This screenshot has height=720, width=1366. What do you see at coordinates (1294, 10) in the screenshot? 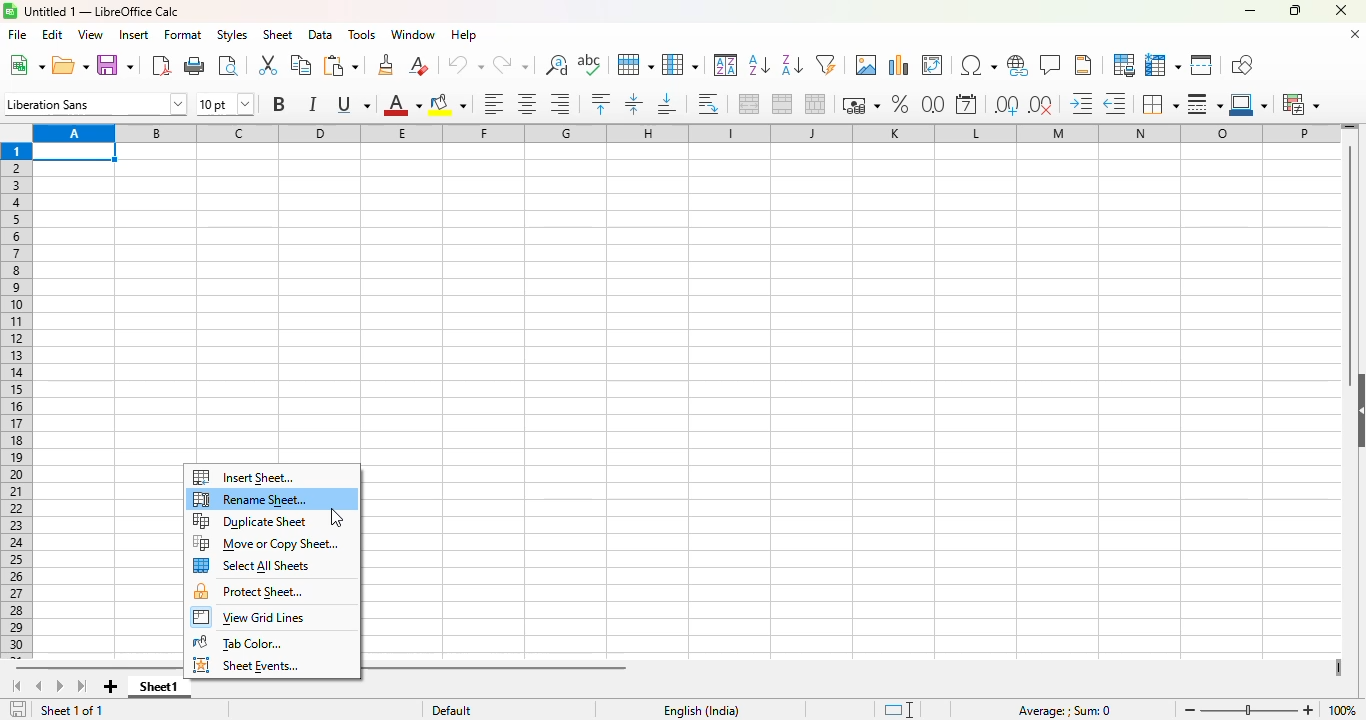
I see `maximize` at bounding box center [1294, 10].